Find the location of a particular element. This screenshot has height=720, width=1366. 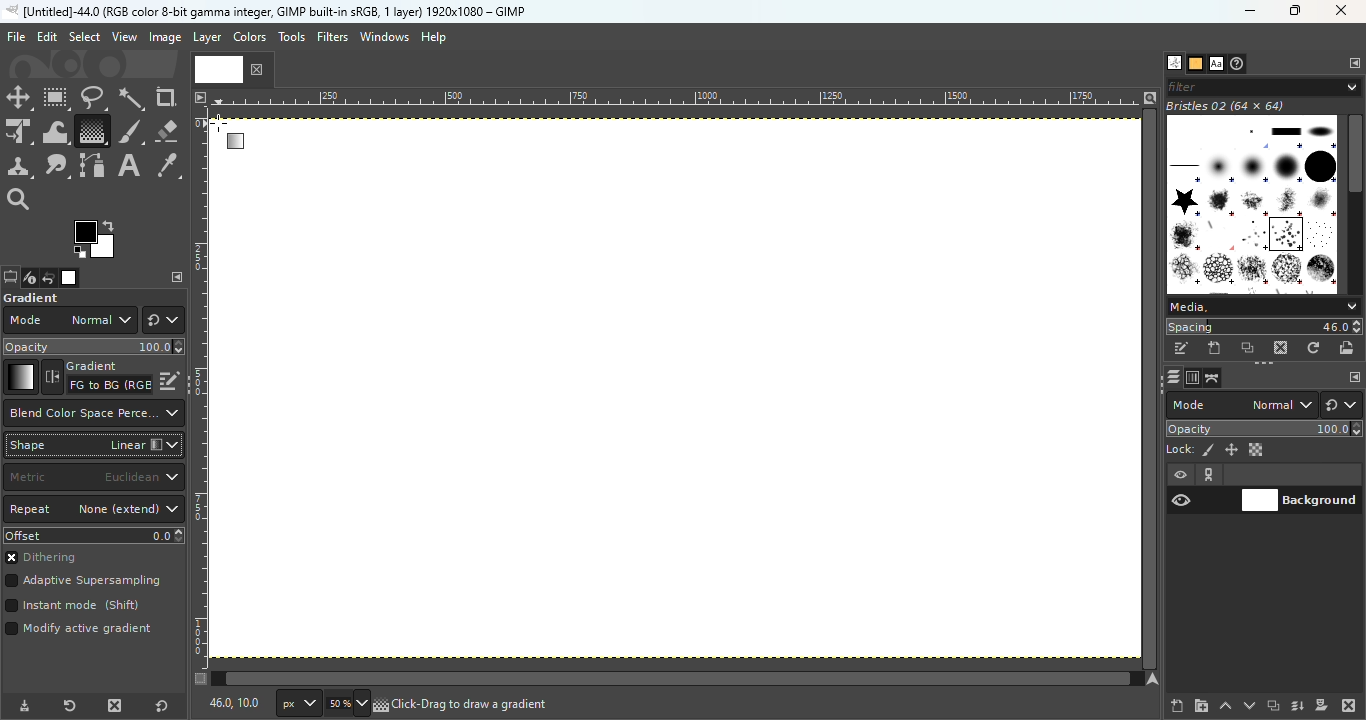

Merge this layer with the first visible layer below it is located at coordinates (1298, 706).